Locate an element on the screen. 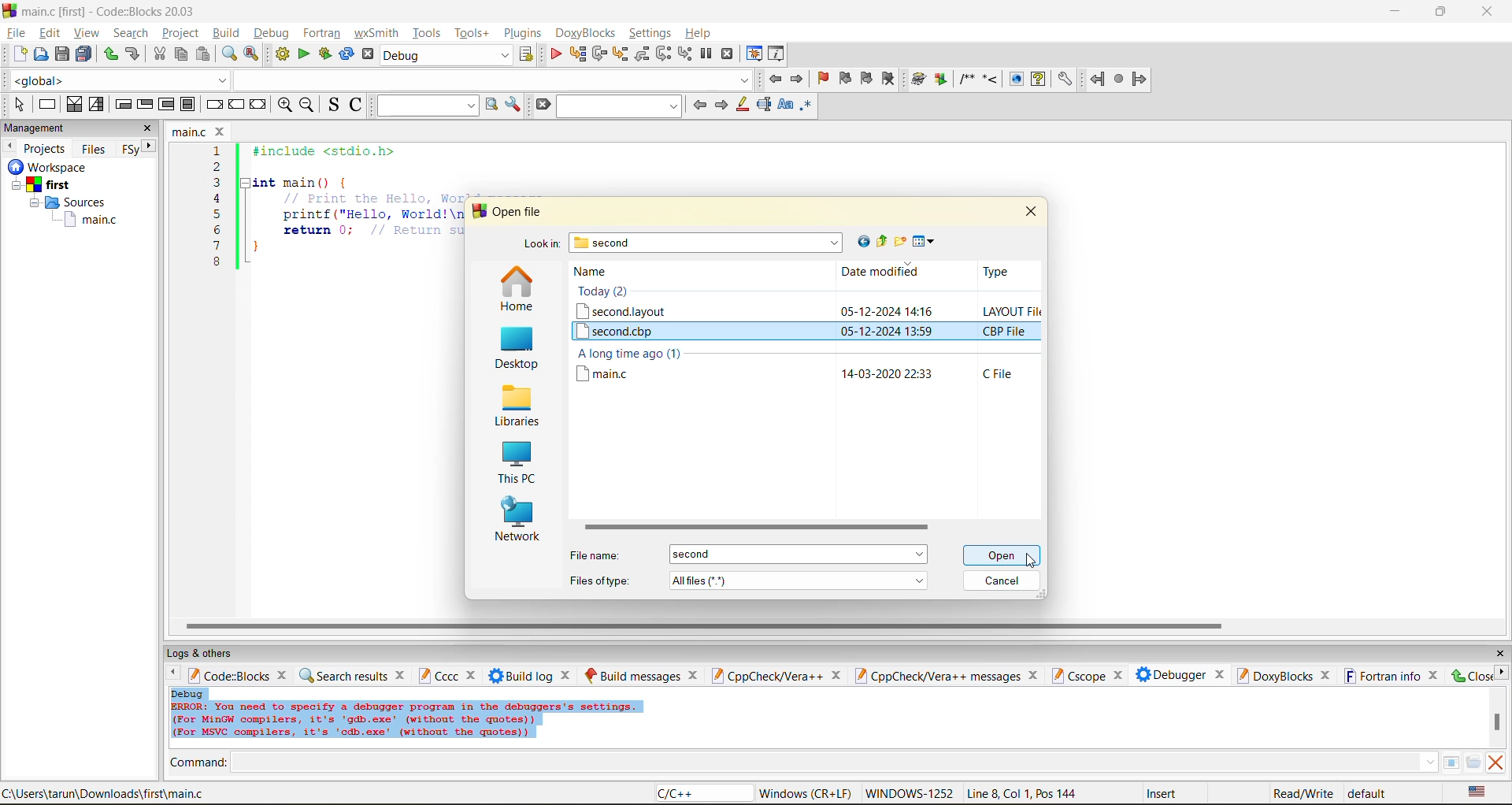 The width and height of the screenshot is (1512, 805). printf("Hello, World!\n" is located at coordinates (372, 214).